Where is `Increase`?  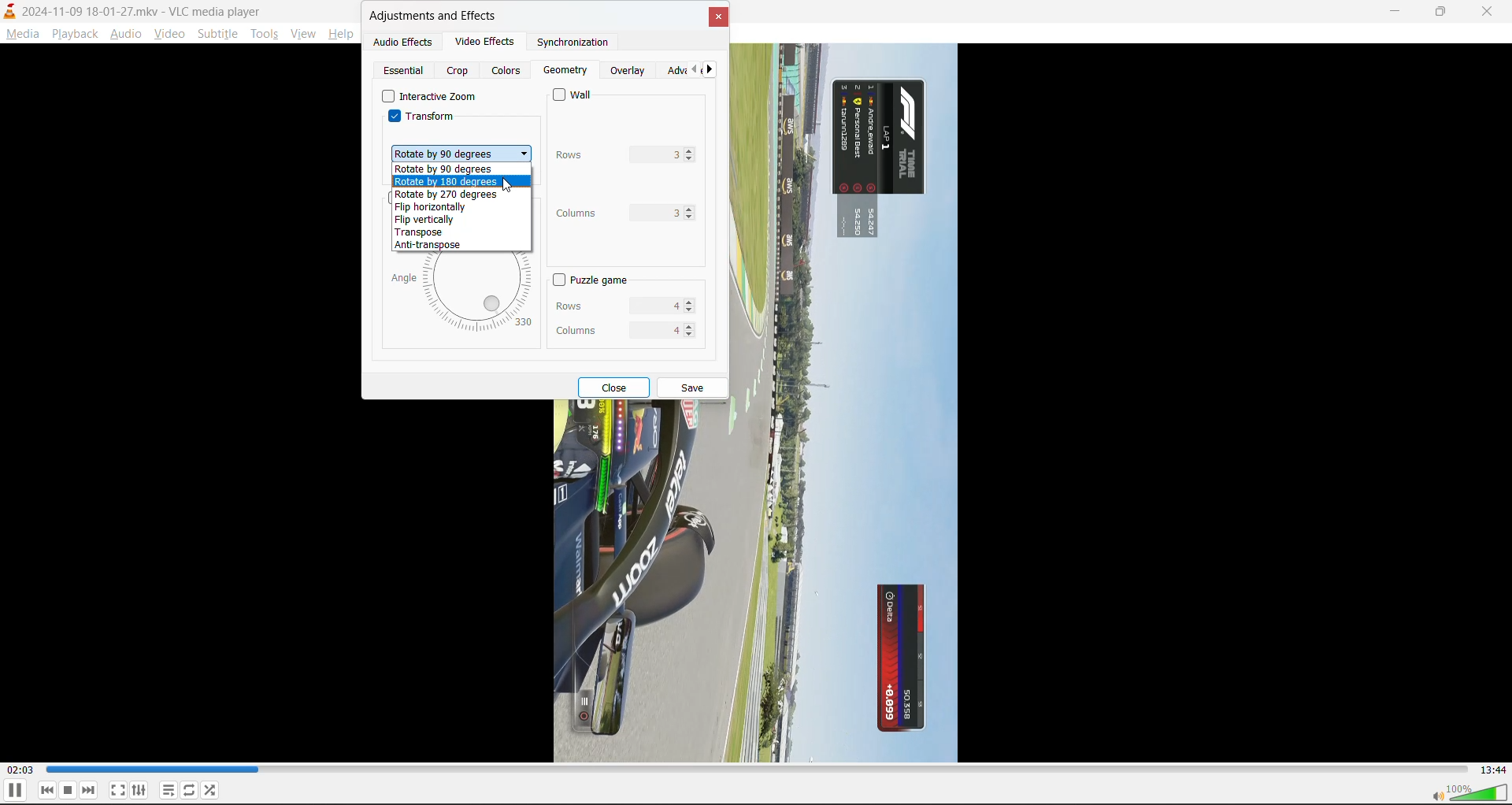
Increase is located at coordinates (689, 325).